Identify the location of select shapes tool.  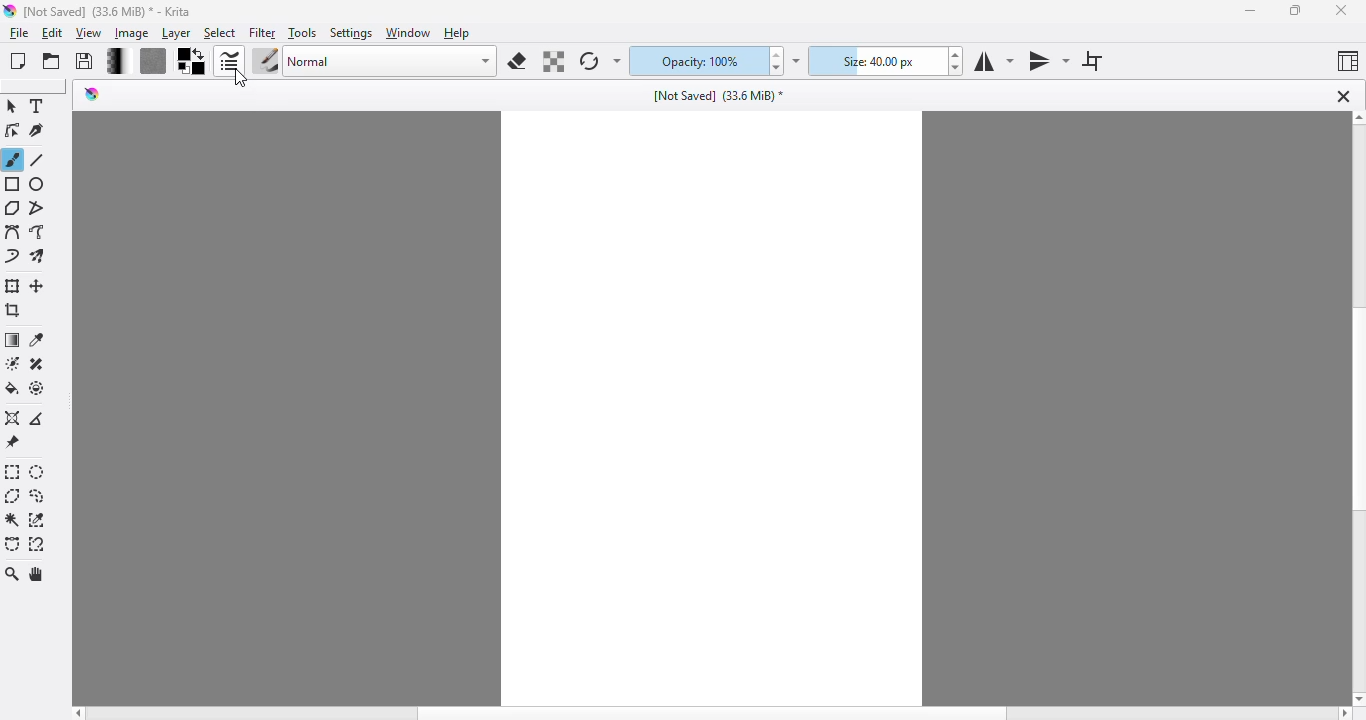
(12, 106).